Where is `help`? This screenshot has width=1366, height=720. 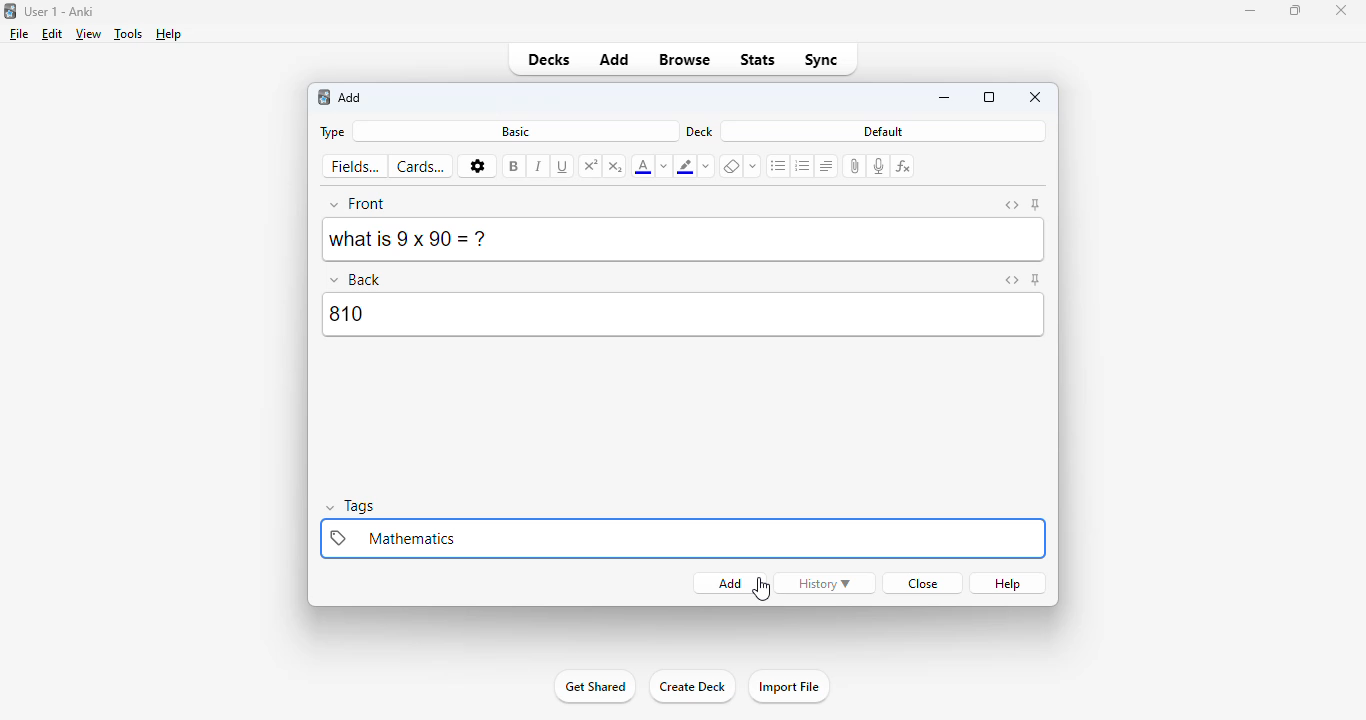
help is located at coordinates (1009, 583).